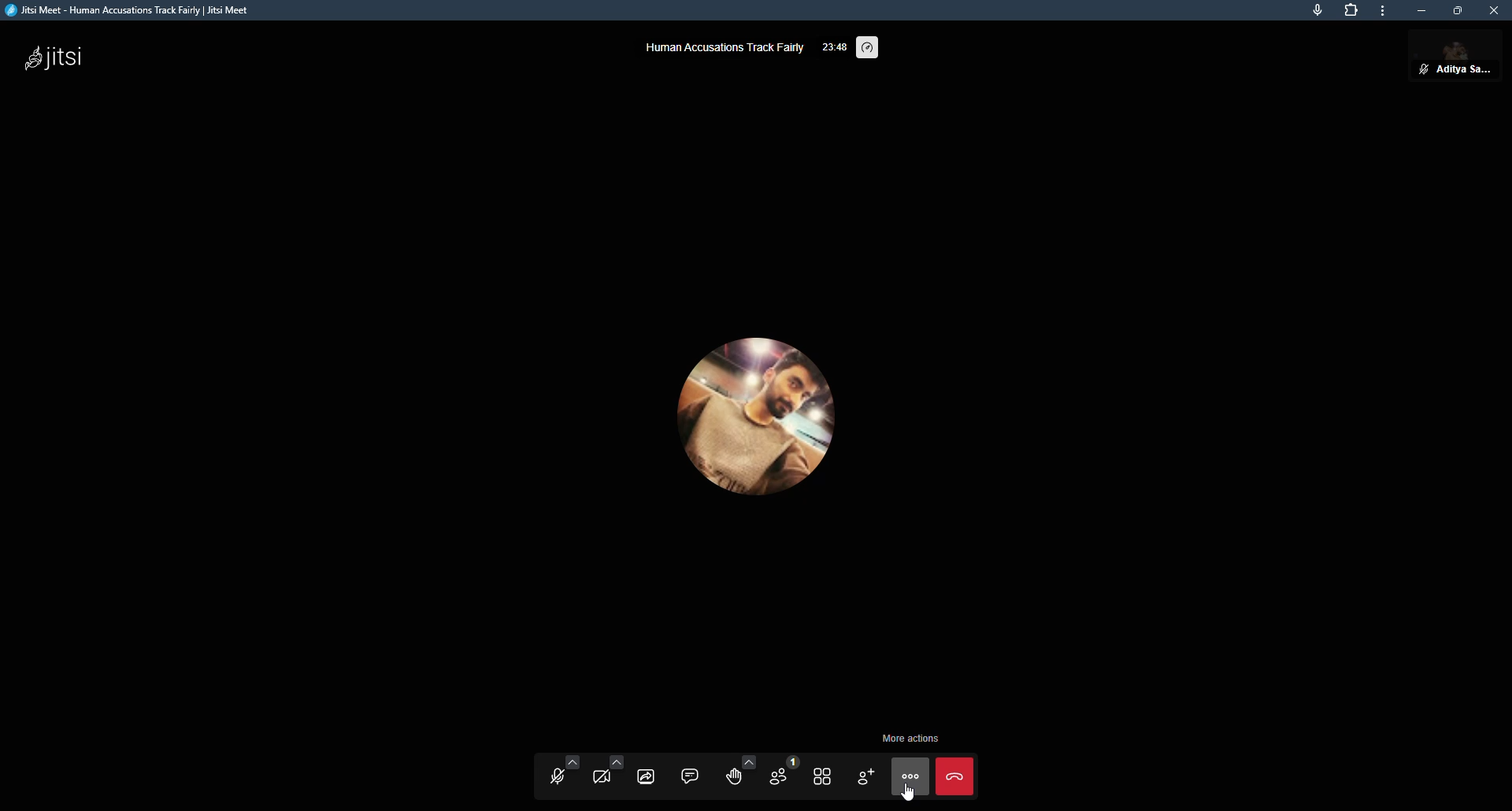 This screenshot has height=811, width=1512. What do you see at coordinates (1422, 69) in the screenshot?
I see `unmute` at bounding box center [1422, 69].